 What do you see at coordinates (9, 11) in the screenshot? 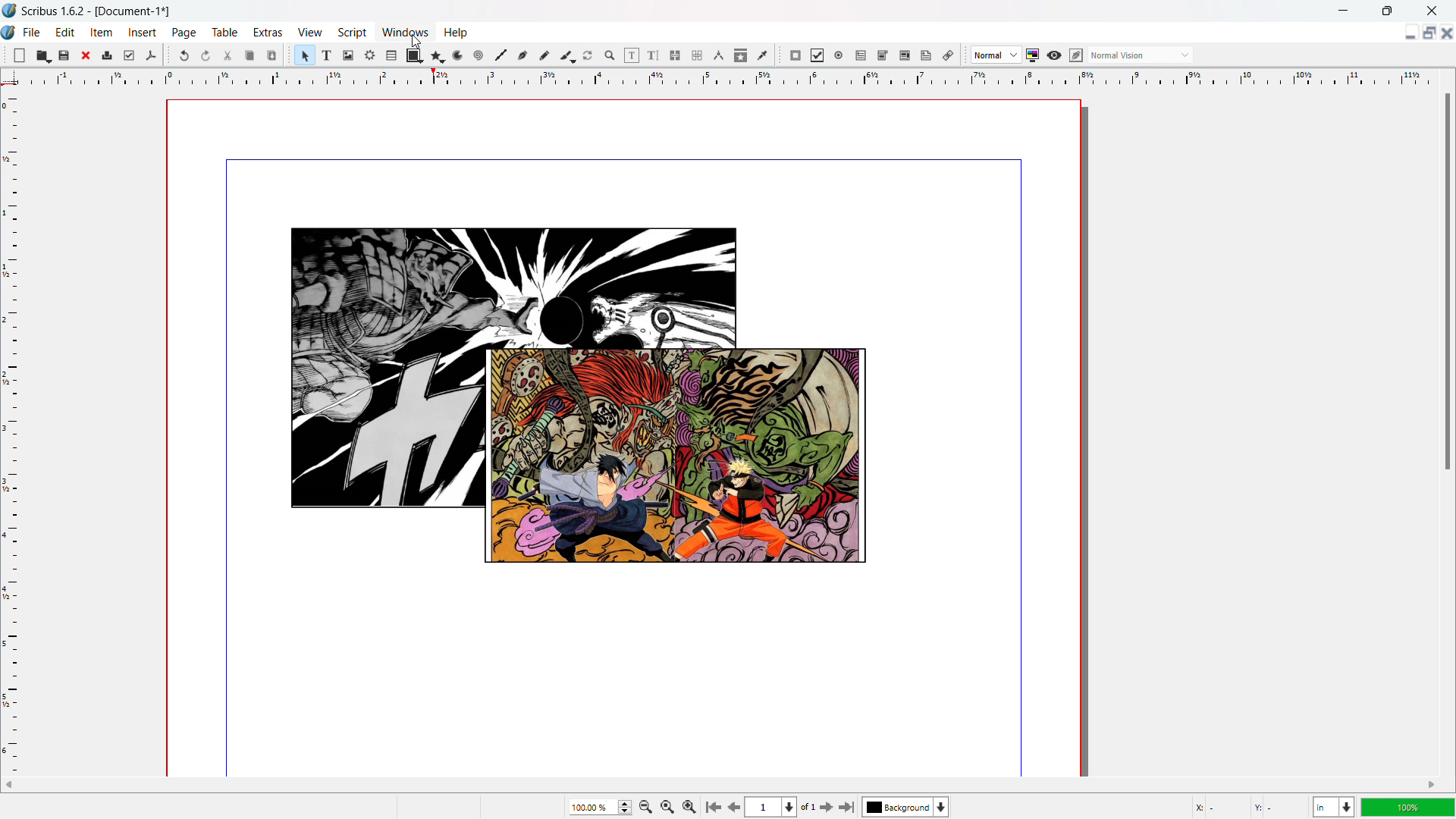
I see `logo` at bounding box center [9, 11].